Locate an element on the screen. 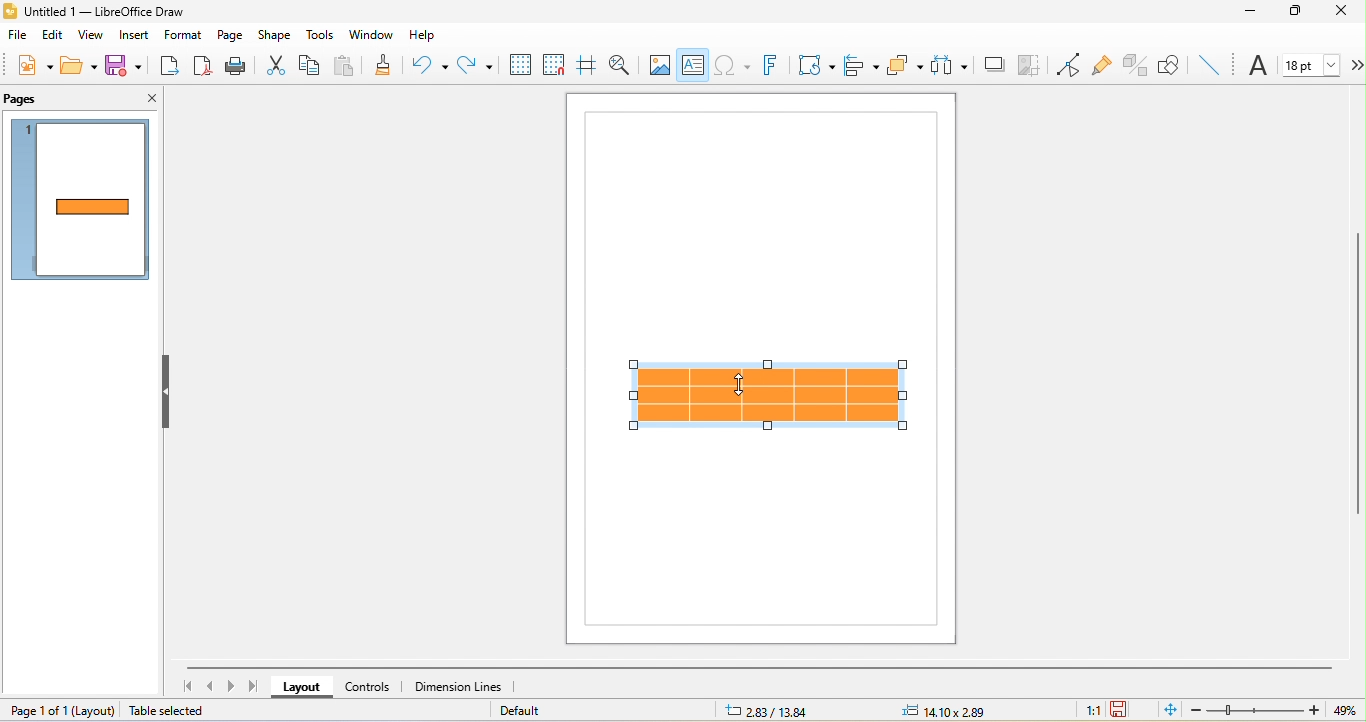 This screenshot has height=722, width=1366. close is located at coordinates (150, 97).